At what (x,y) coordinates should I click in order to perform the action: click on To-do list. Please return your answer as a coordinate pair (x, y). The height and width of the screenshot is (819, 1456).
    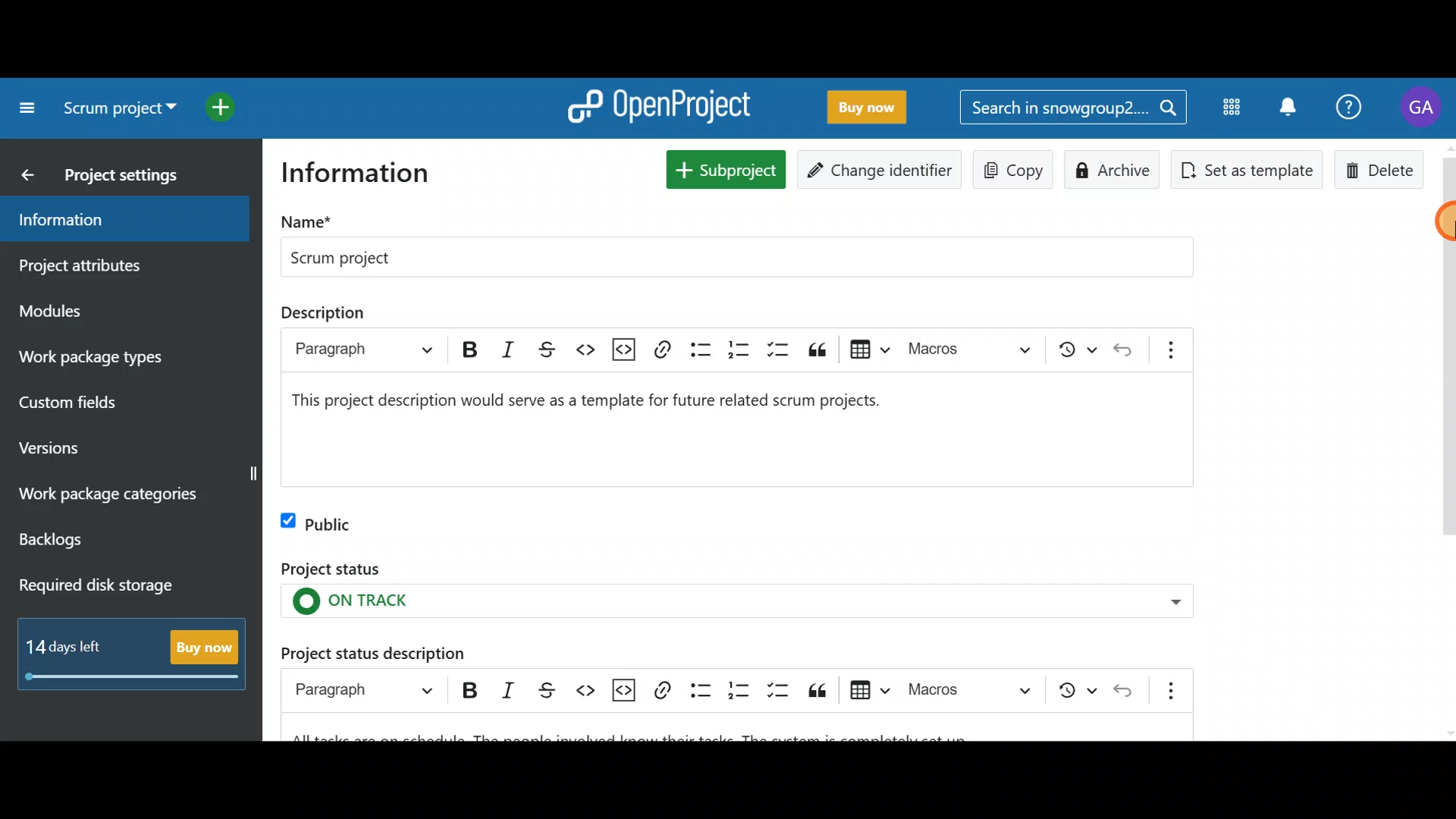
    Looking at the image, I should click on (777, 691).